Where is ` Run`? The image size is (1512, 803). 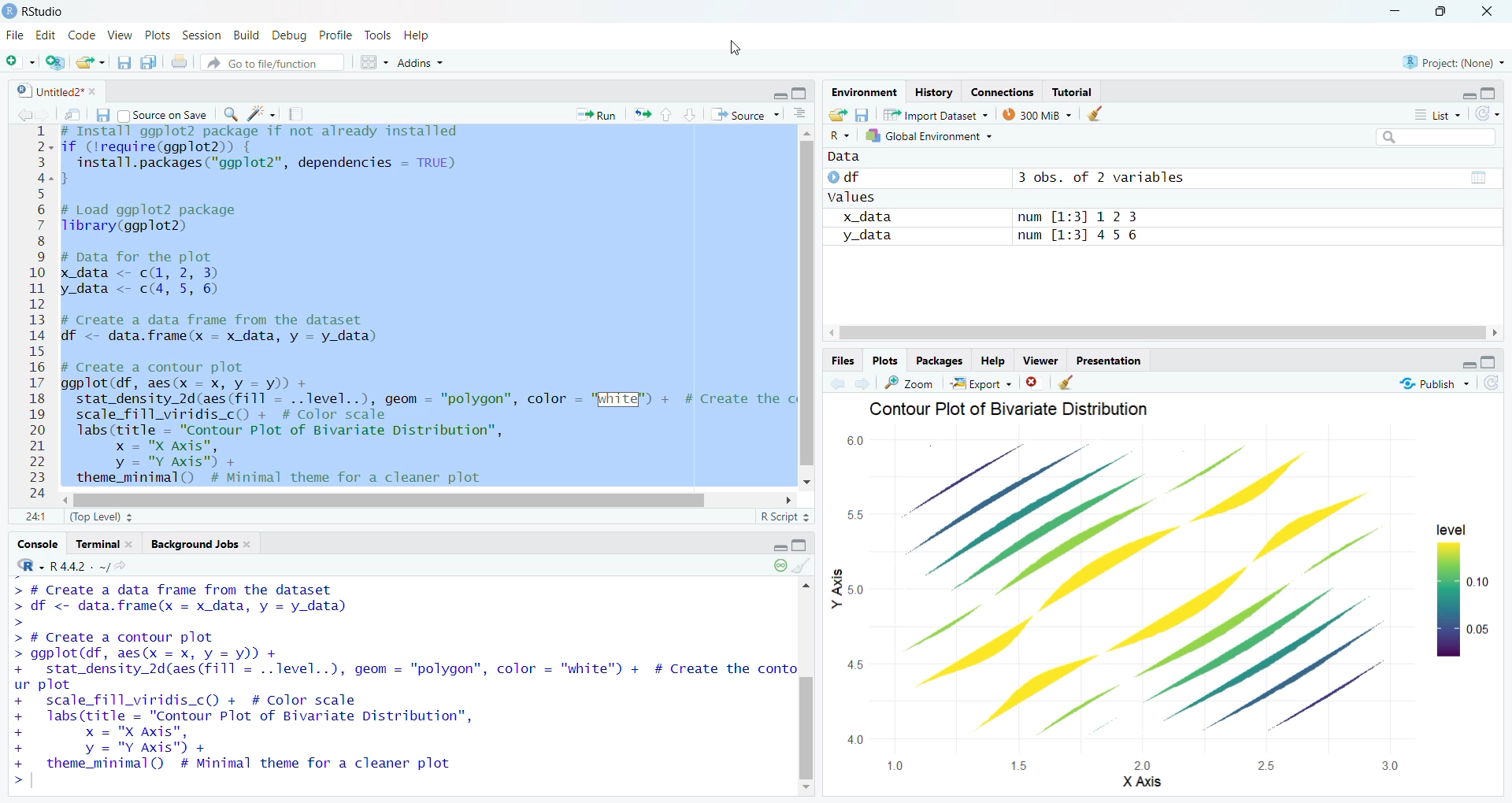  Run is located at coordinates (598, 113).